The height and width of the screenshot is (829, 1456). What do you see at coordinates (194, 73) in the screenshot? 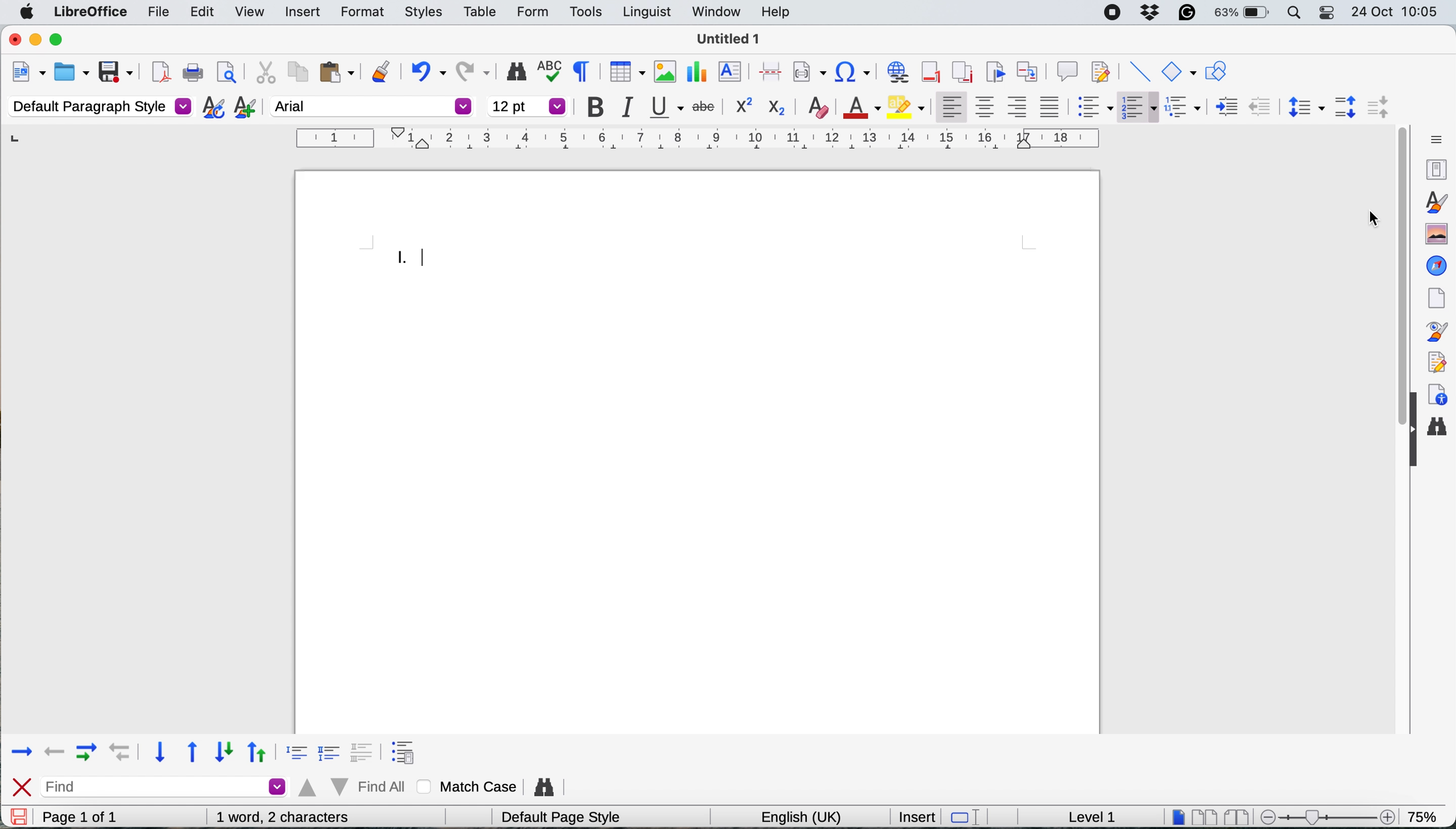
I see `print` at bounding box center [194, 73].